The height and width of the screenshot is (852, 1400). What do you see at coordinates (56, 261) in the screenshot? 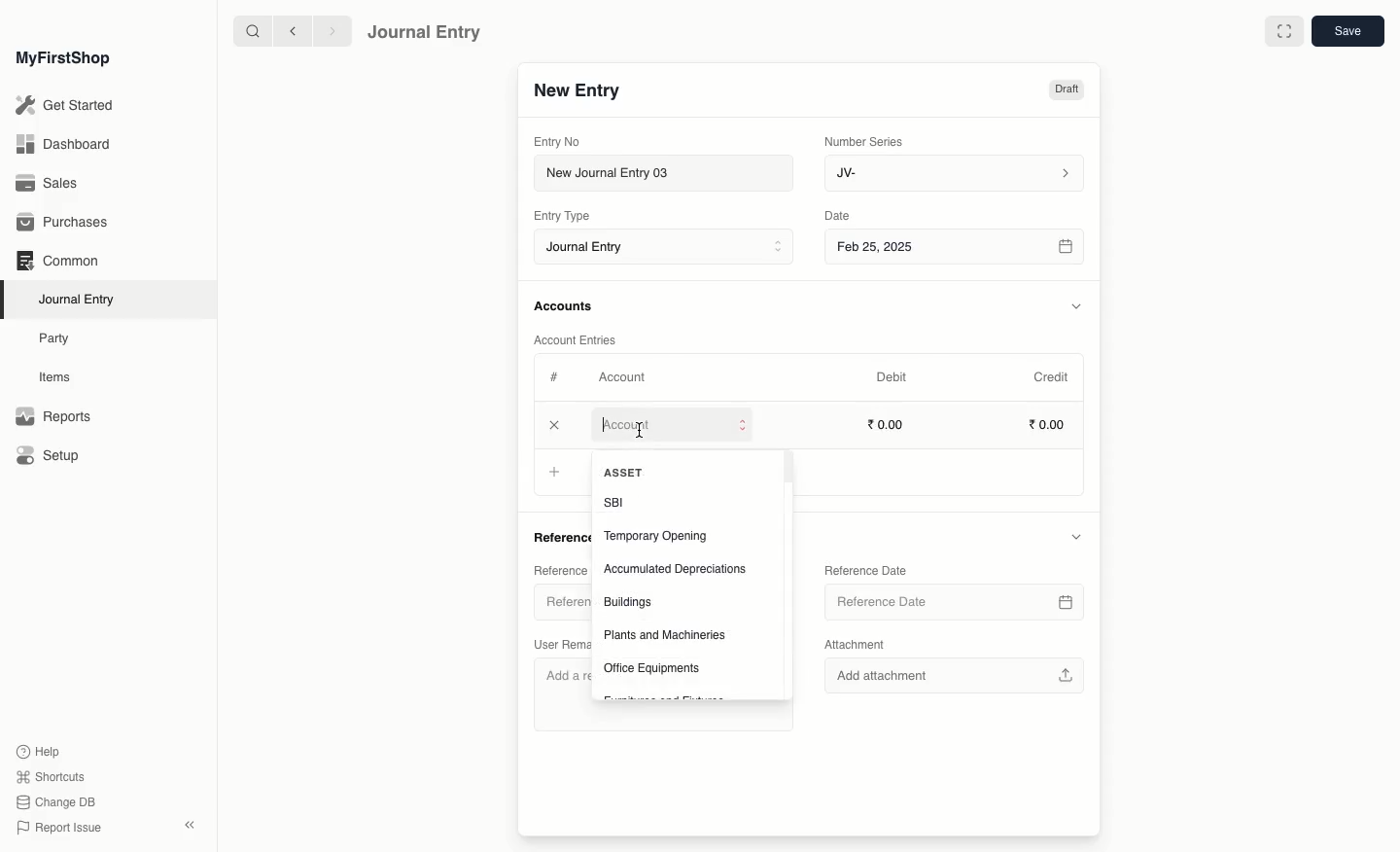
I see `Common` at bounding box center [56, 261].